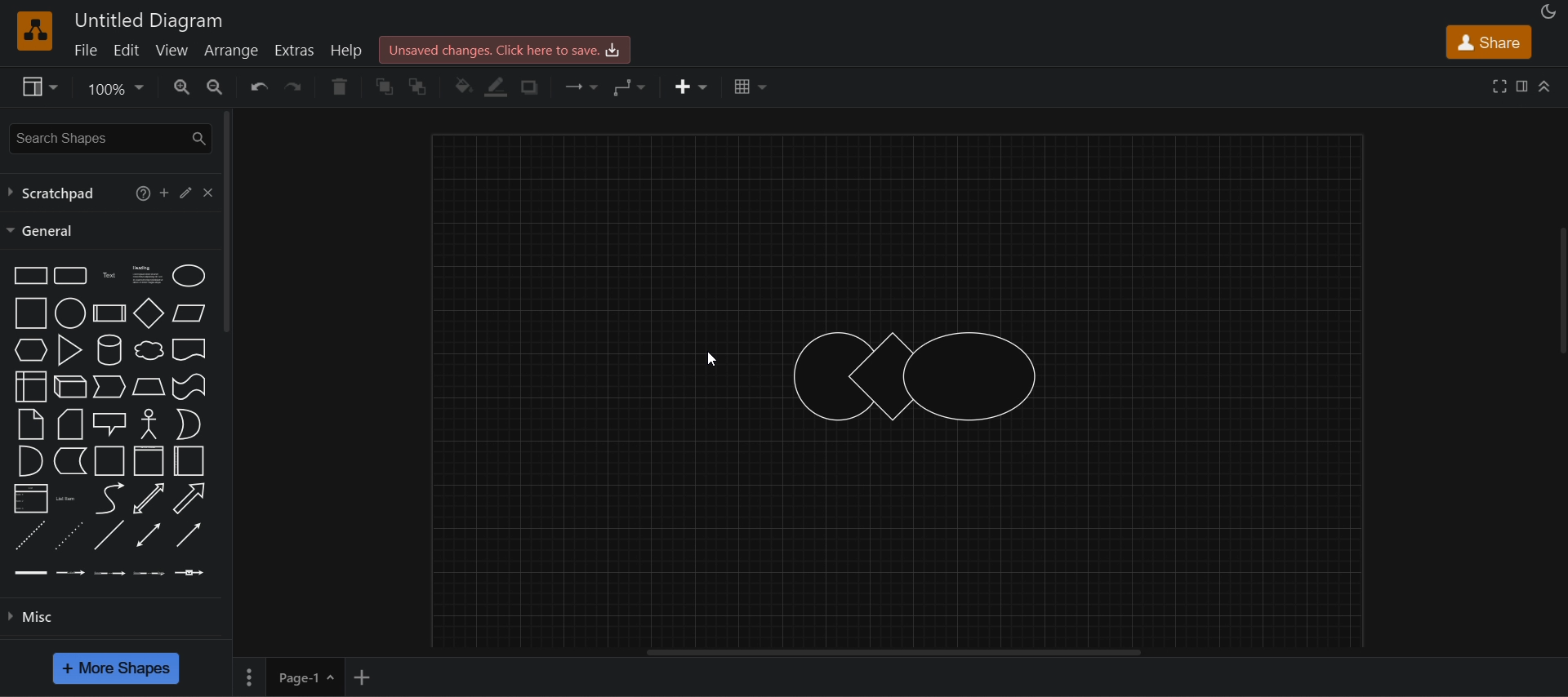  Describe the element at coordinates (69, 460) in the screenshot. I see `Data storage` at that location.